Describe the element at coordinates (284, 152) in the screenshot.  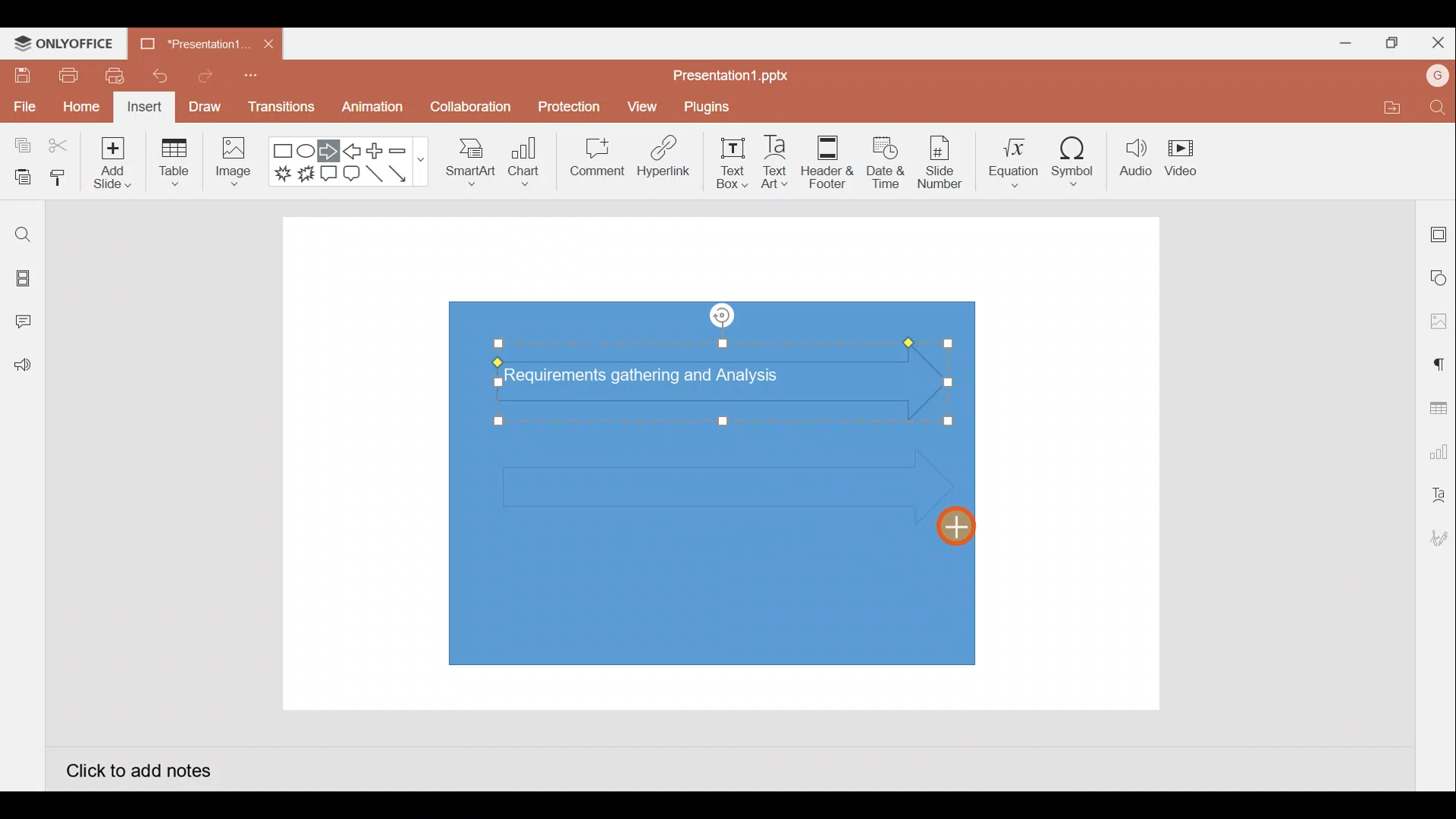
I see `Rectangle` at that location.